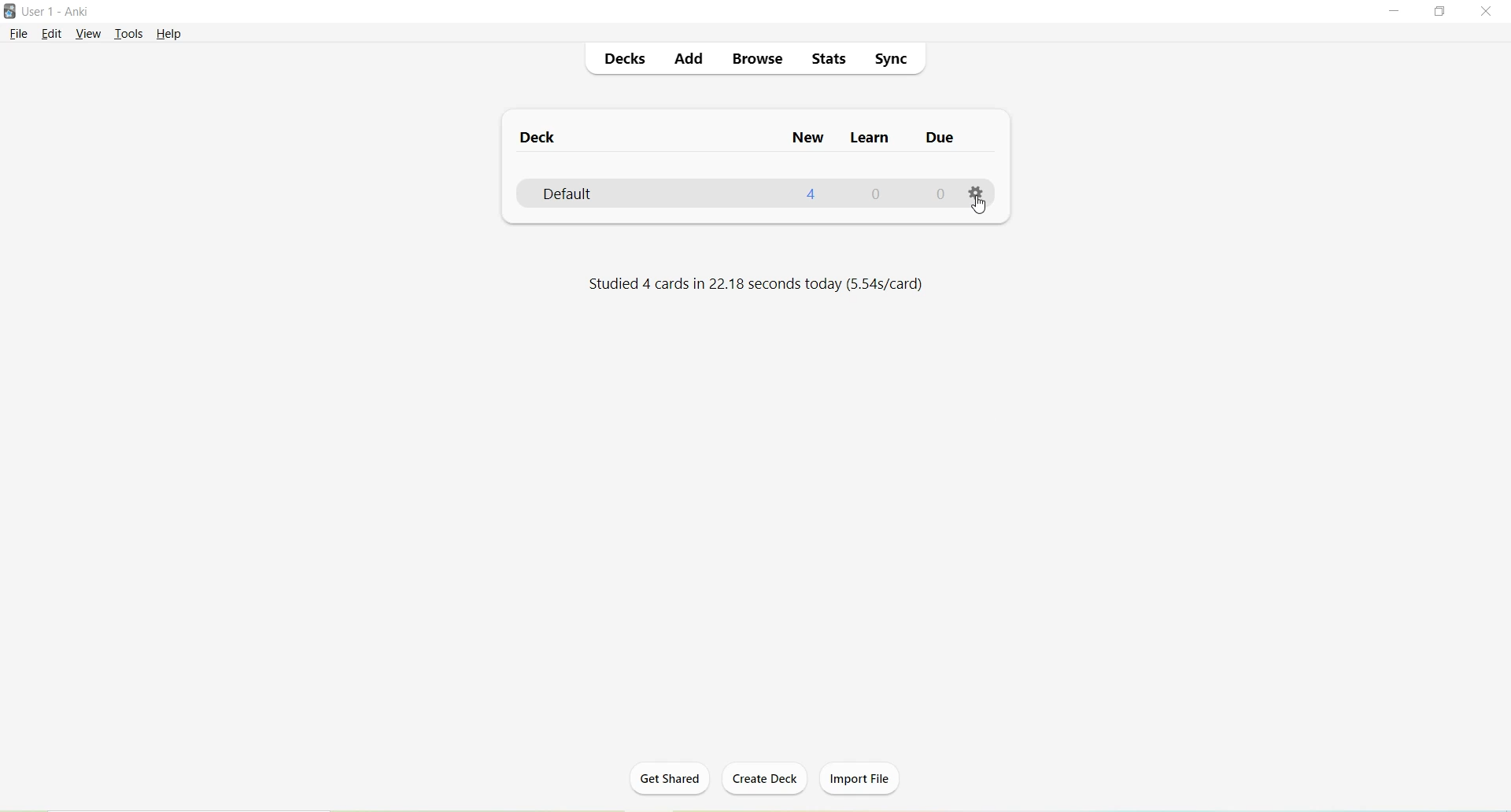 The image size is (1511, 812). I want to click on Studied 4 cards in 22.18 seconds today (5.54s/card), so click(754, 285).